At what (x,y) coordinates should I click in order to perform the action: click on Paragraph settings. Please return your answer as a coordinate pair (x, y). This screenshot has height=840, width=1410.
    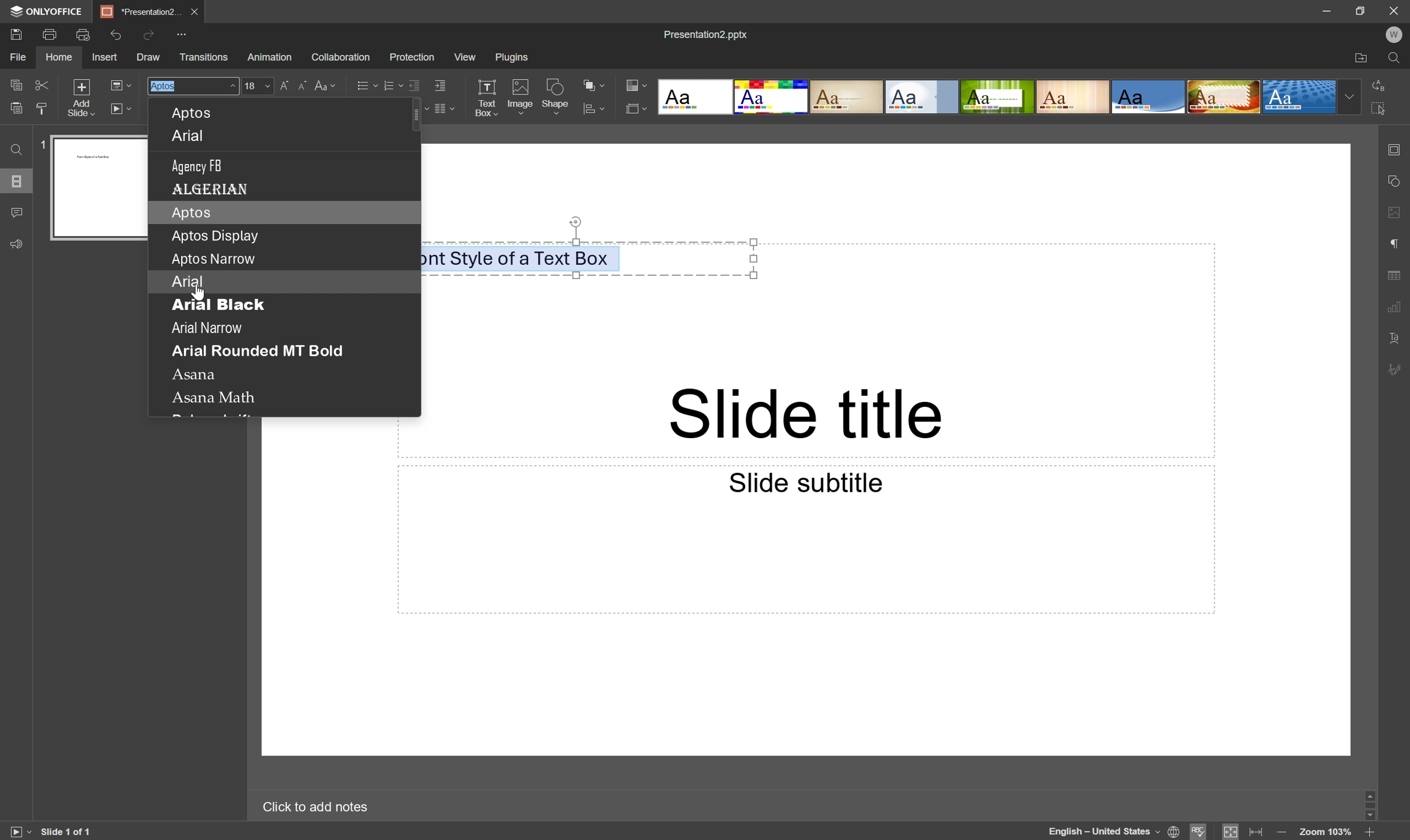
    Looking at the image, I should click on (1396, 244).